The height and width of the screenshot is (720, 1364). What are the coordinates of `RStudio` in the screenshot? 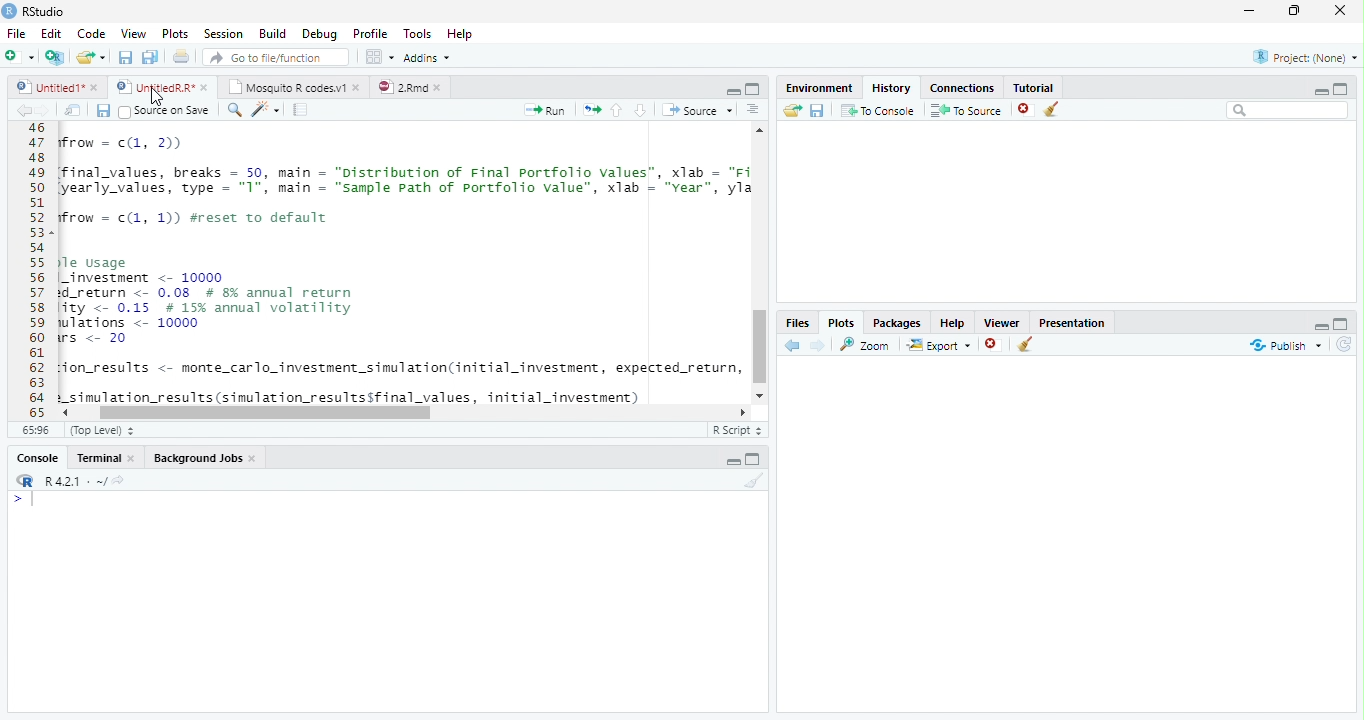 It's located at (34, 11).